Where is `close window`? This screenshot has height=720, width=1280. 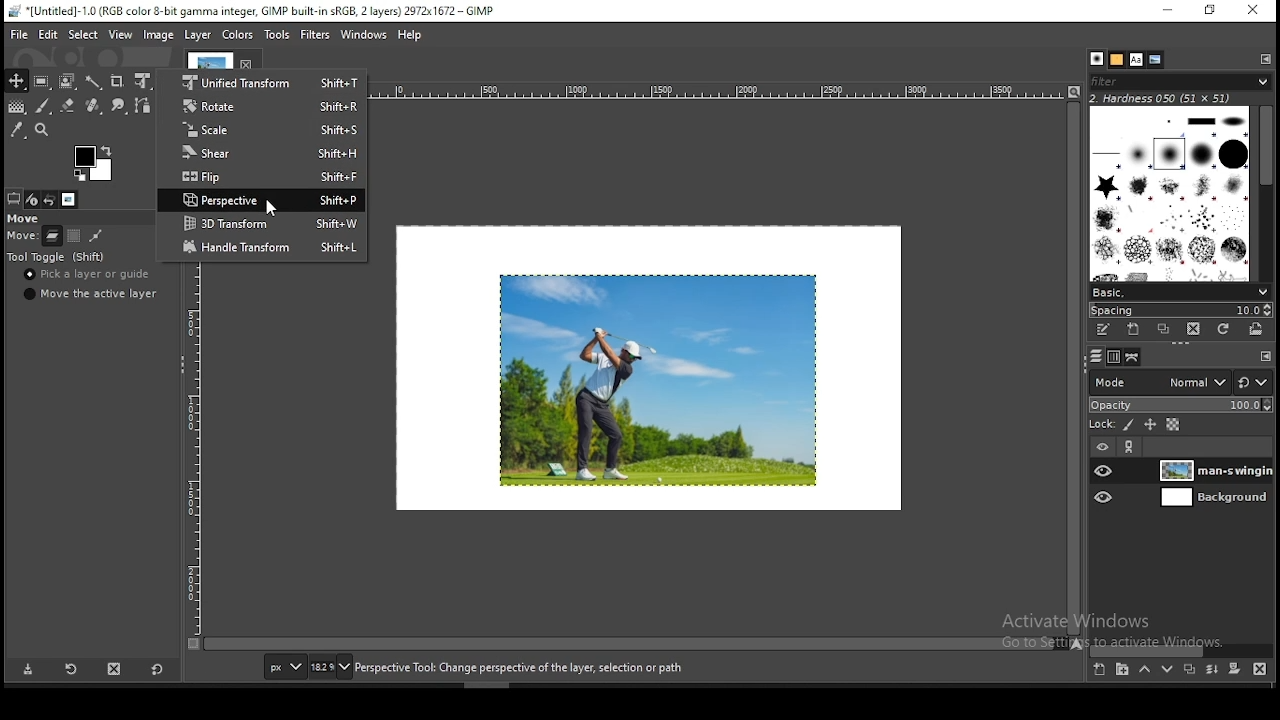
close window is located at coordinates (1254, 11).